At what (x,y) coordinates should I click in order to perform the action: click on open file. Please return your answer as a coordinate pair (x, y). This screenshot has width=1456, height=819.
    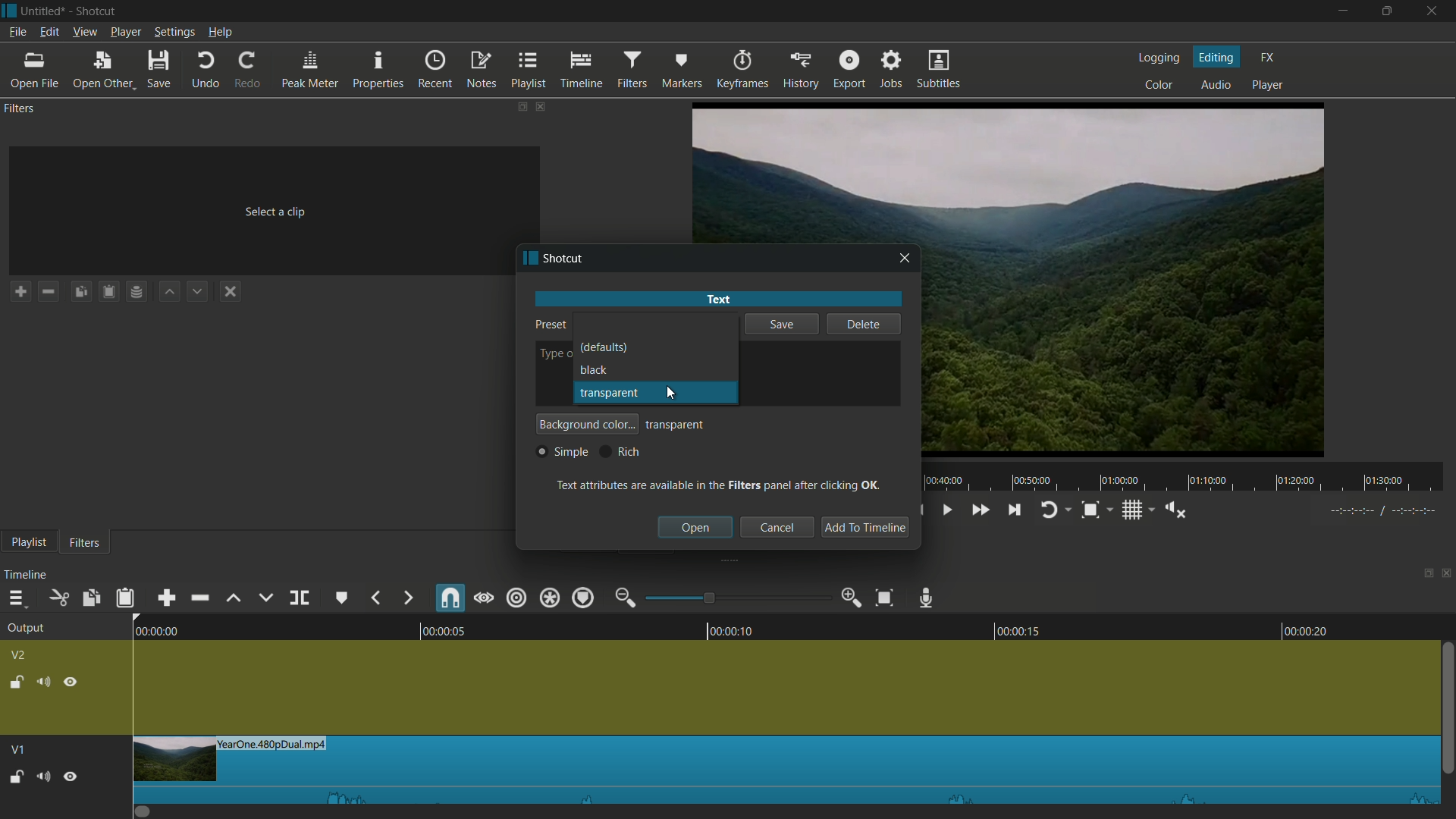
    Looking at the image, I should click on (33, 71).